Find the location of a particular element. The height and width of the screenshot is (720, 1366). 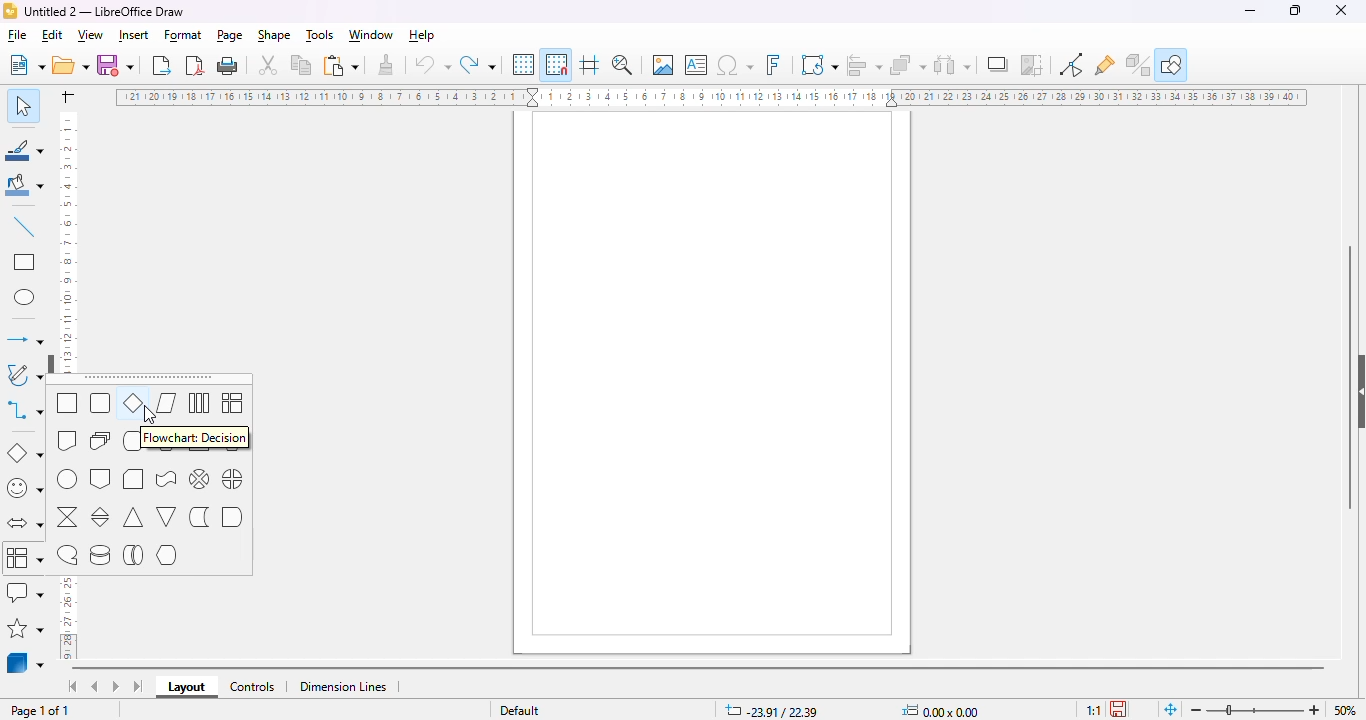

print is located at coordinates (228, 66).